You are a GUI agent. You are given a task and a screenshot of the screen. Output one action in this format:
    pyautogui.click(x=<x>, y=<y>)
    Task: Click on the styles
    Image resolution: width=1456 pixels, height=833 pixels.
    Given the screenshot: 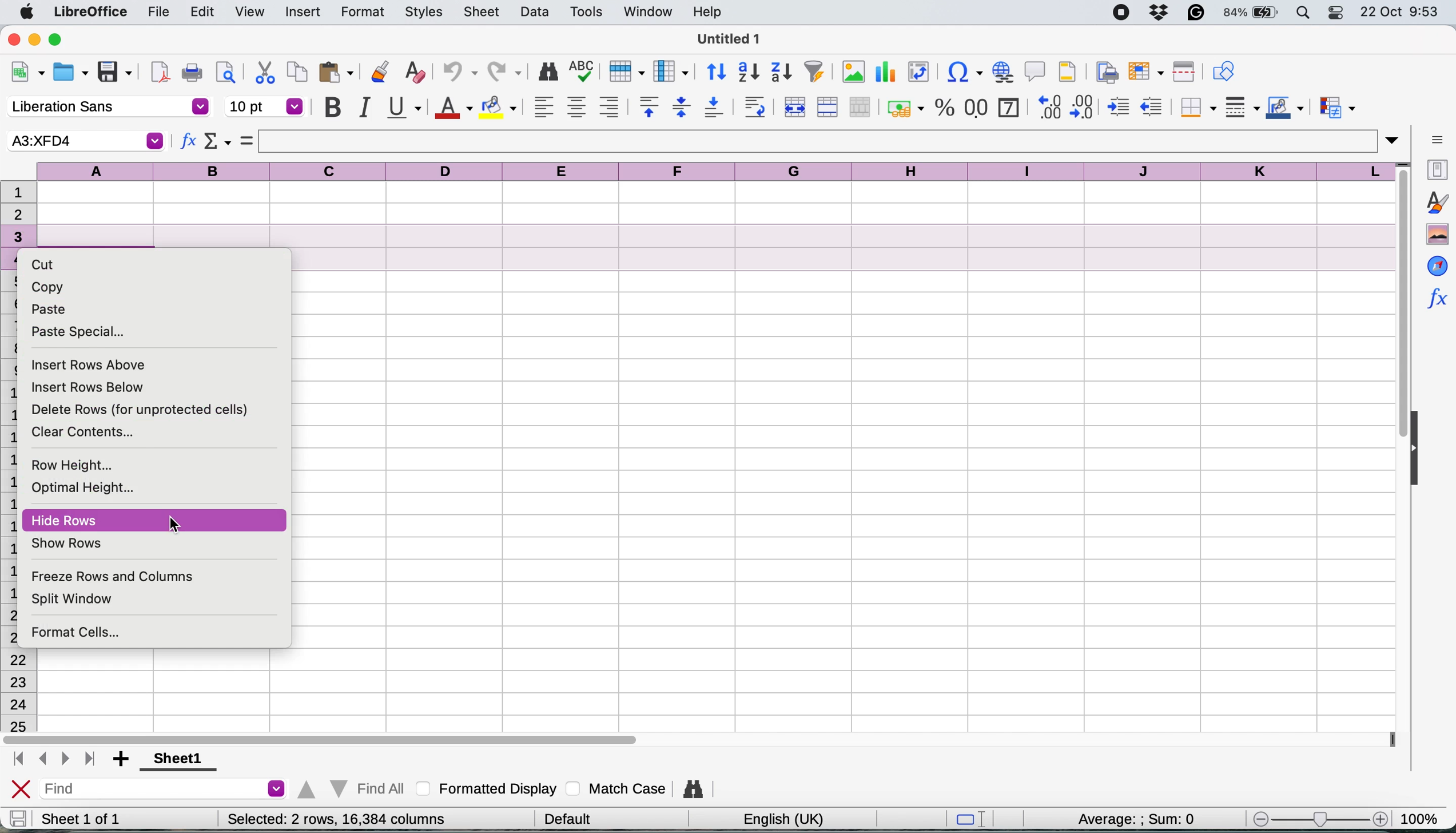 What is the action you would take?
    pyautogui.click(x=1436, y=202)
    